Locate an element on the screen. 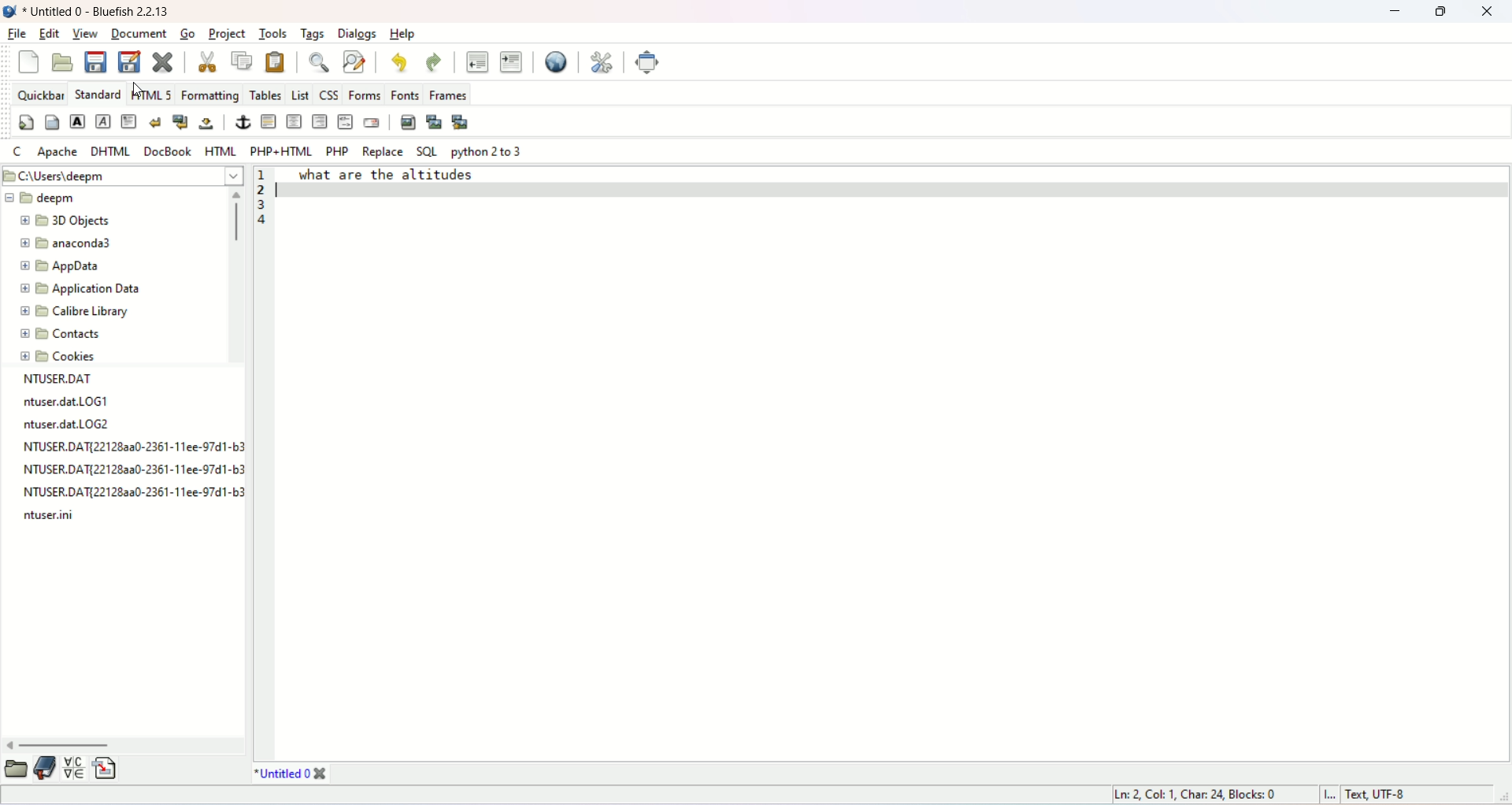 The height and width of the screenshot is (805, 1512). insert images is located at coordinates (408, 121).